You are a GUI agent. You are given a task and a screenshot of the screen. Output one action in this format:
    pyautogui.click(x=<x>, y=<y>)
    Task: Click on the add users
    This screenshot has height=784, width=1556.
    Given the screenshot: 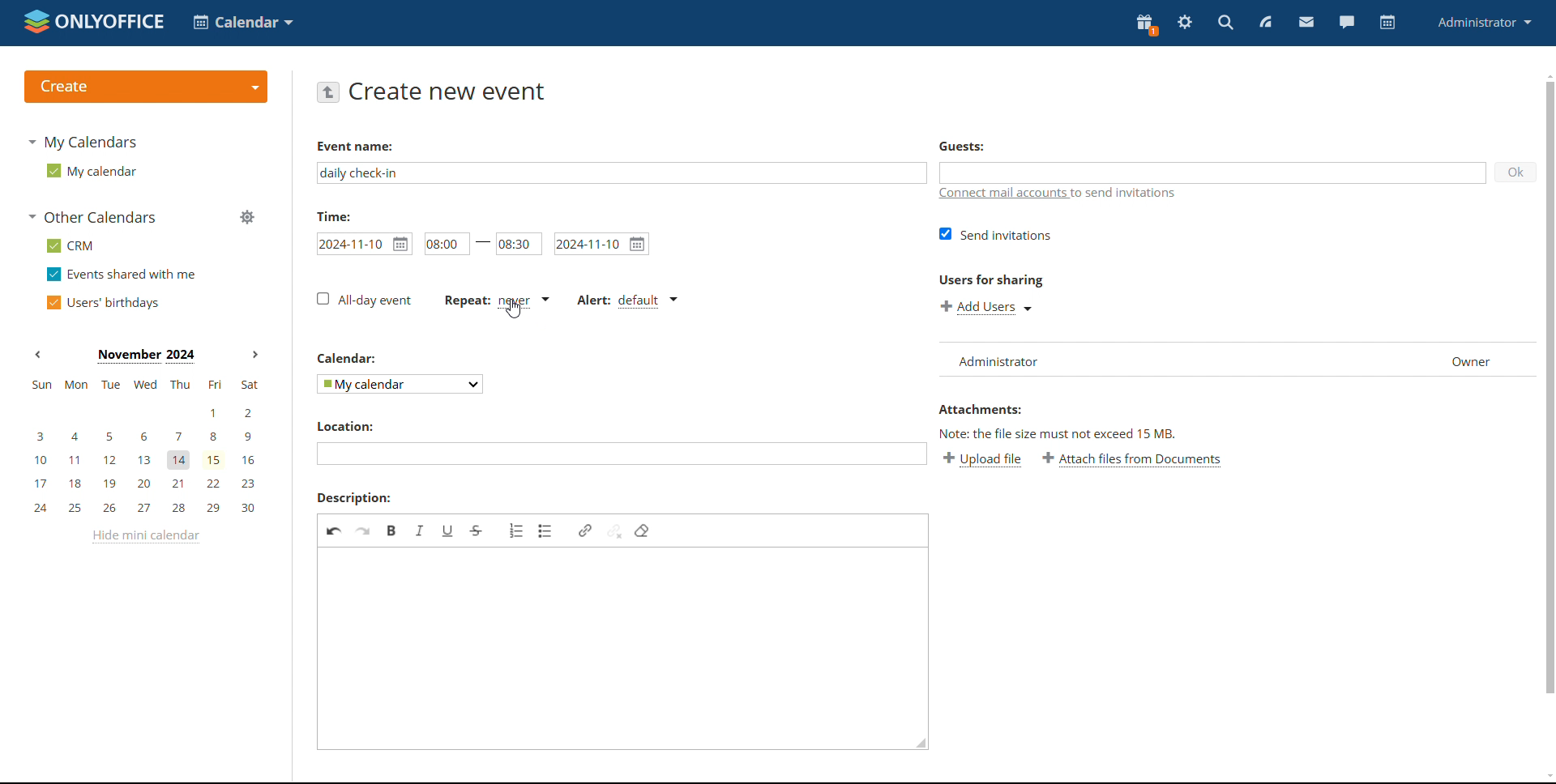 What is the action you would take?
    pyautogui.click(x=987, y=308)
    